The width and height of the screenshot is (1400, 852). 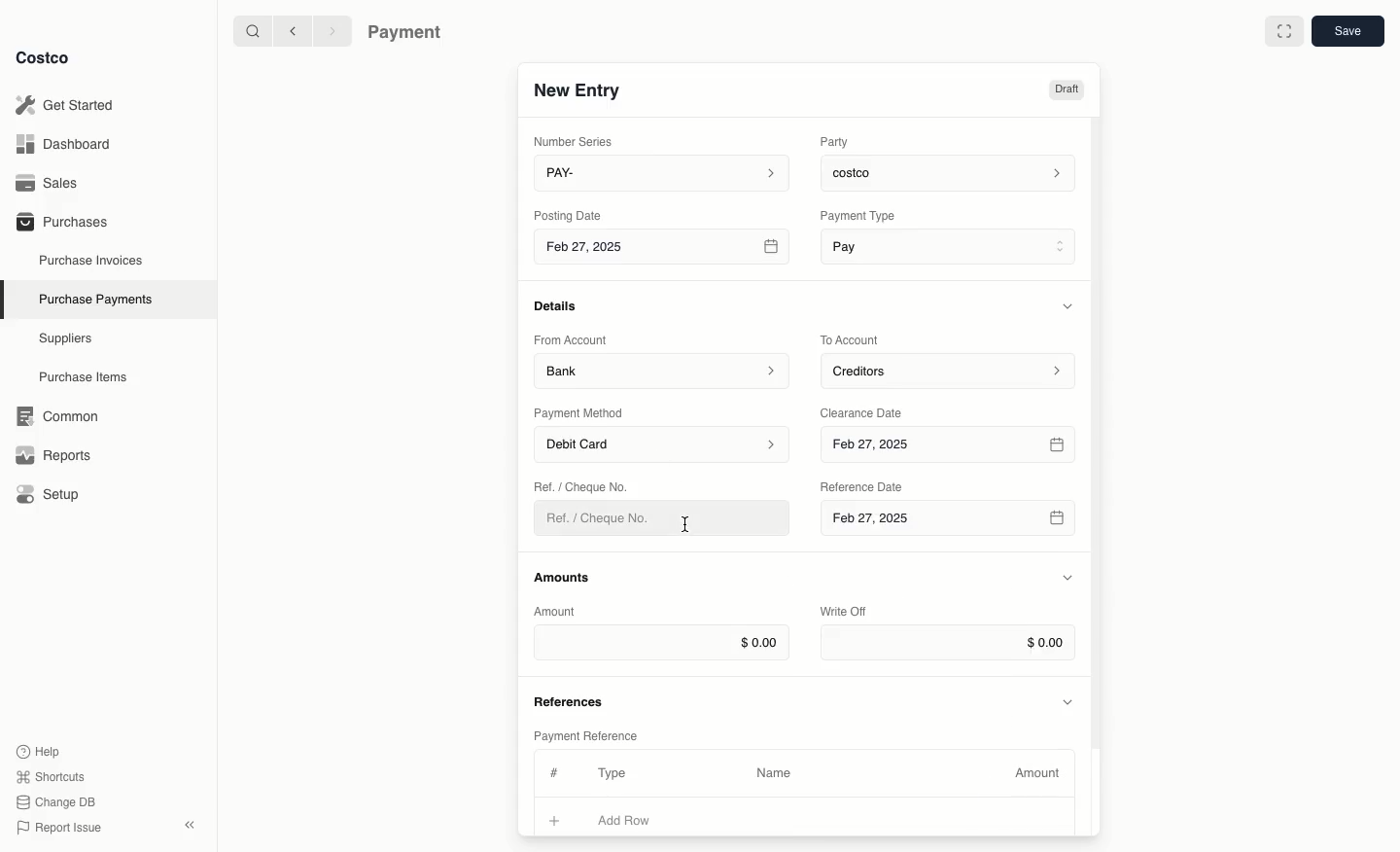 What do you see at coordinates (838, 141) in the screenshot?
I see `Party` at bounding box center [838, 141].